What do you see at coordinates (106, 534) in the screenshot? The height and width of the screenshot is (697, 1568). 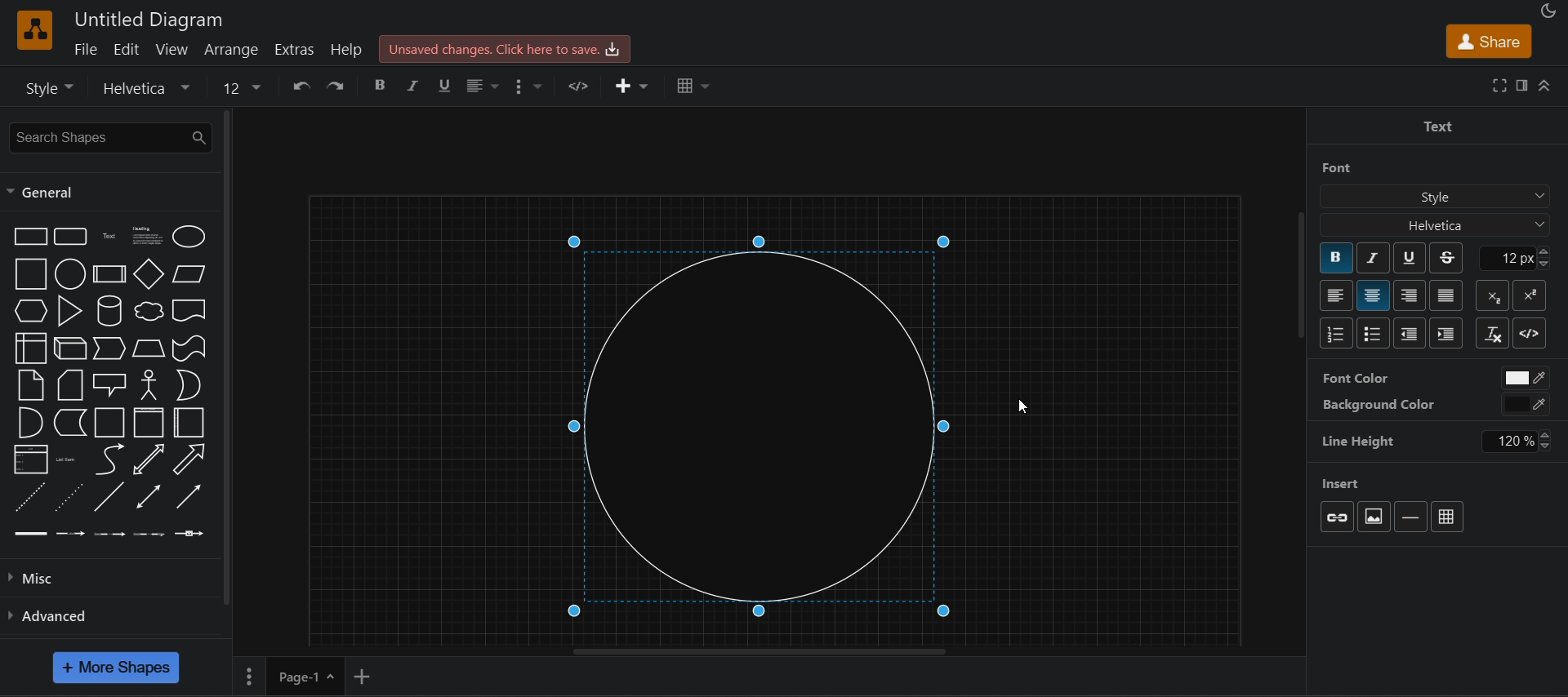 I see `Connector 3` at bounding box center [106, 534].